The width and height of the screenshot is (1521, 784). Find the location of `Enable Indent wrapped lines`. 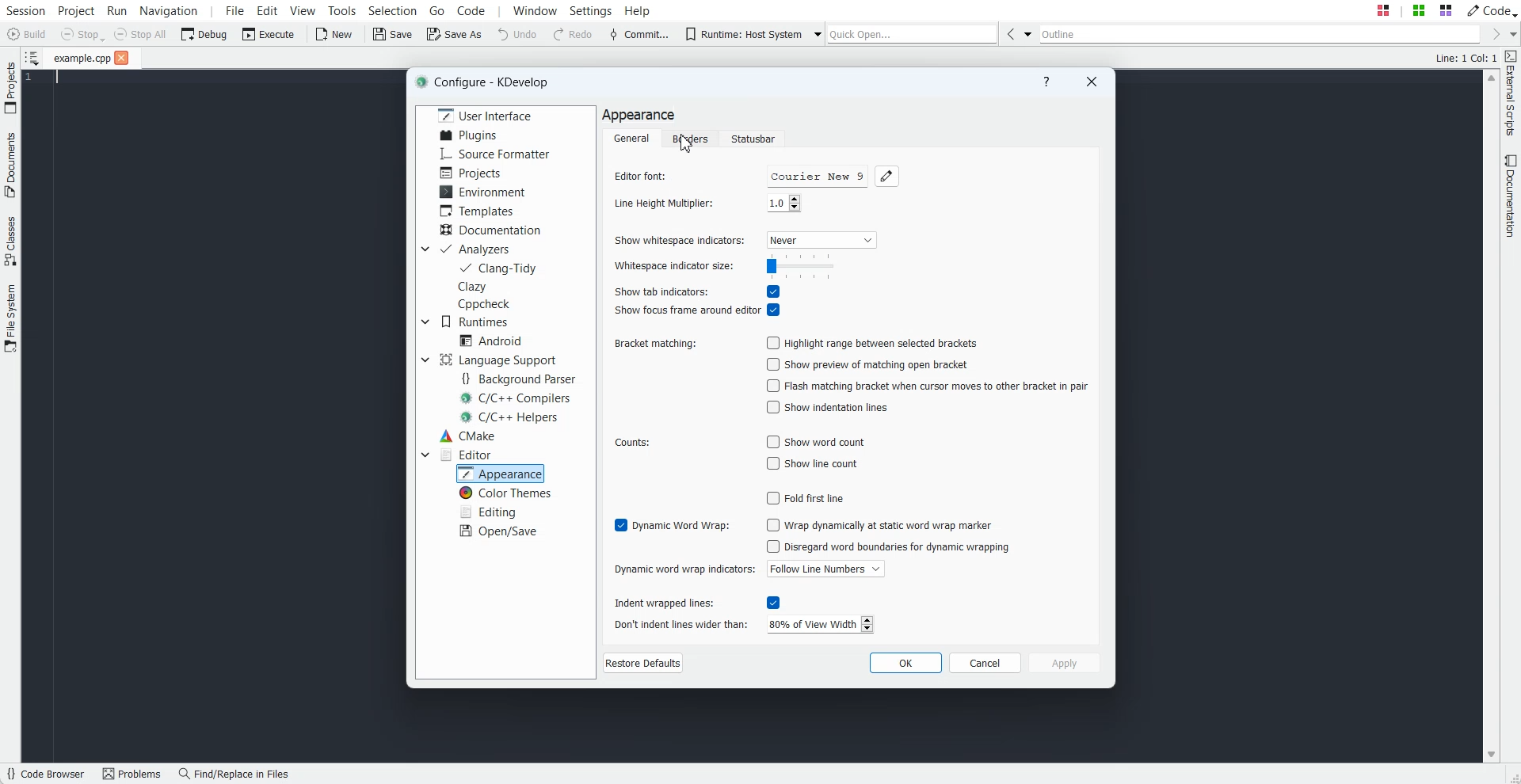

Enable Indent wrapped lines is located at coordinates (696, 600).